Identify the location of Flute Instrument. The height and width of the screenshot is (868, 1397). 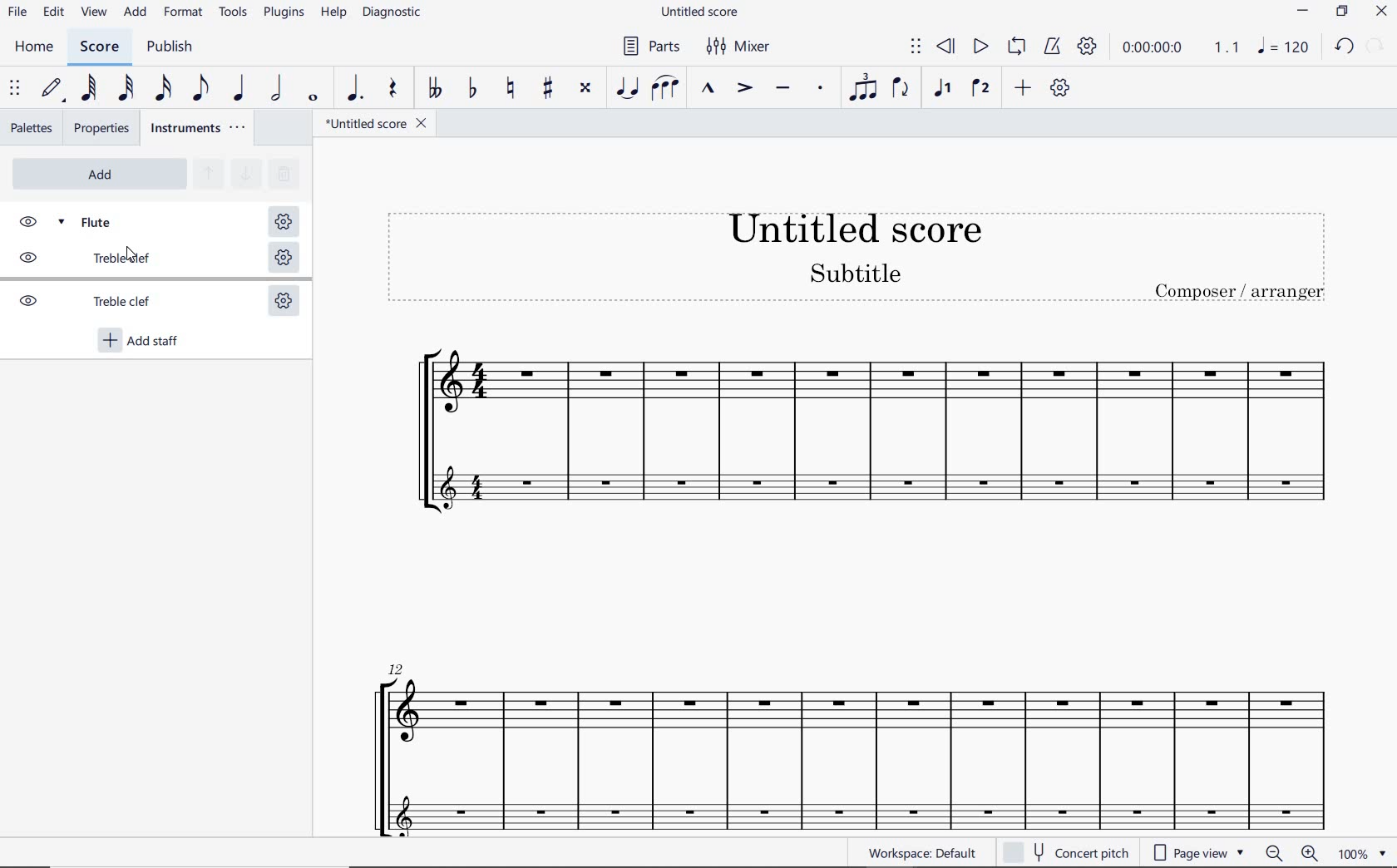
(850, 395).